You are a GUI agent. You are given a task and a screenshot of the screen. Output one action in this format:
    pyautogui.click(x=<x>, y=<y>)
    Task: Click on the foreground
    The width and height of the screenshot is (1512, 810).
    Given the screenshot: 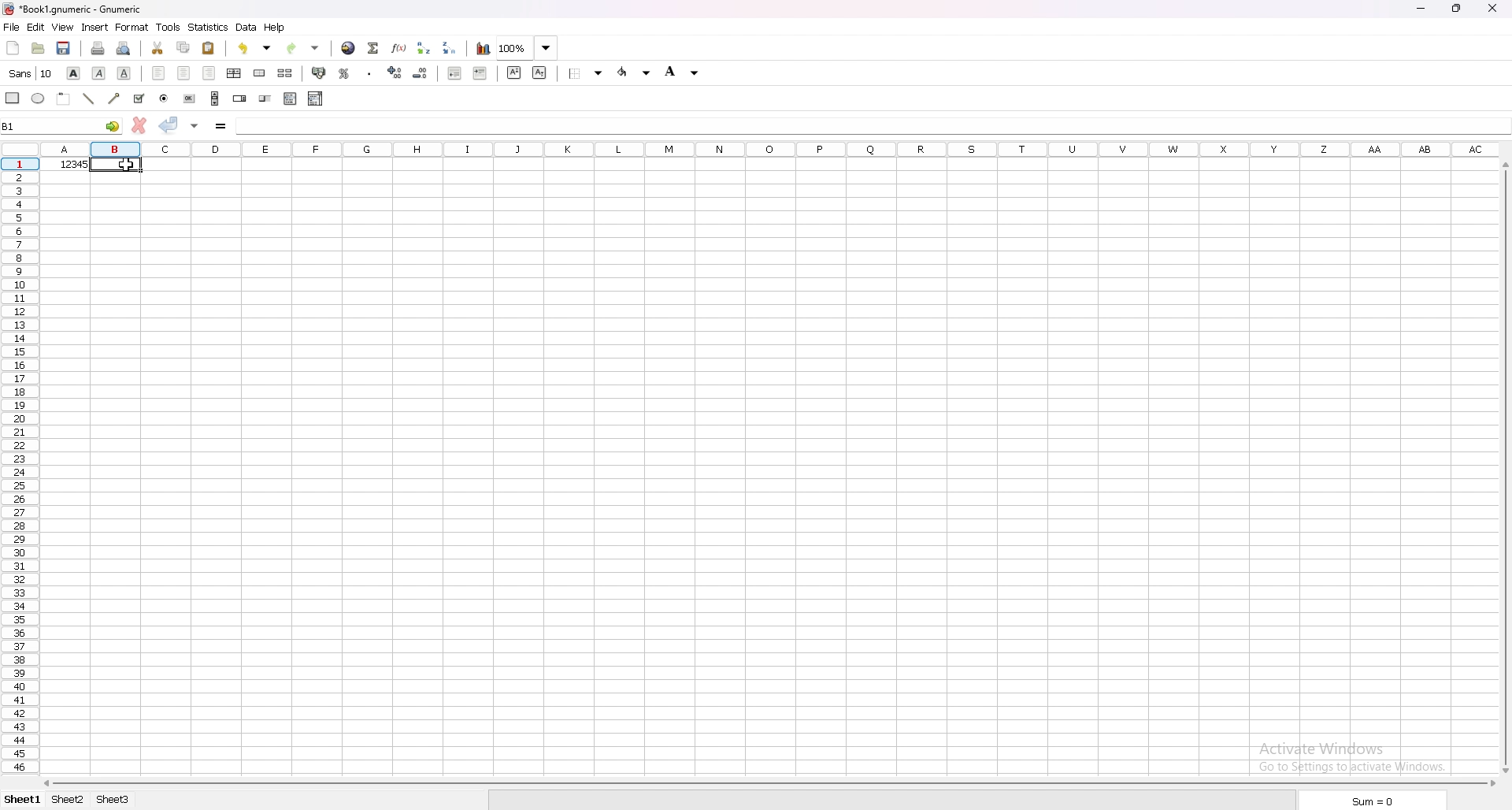 What is the action you would take?
    pyautogui.click(x=633, y=72)
    